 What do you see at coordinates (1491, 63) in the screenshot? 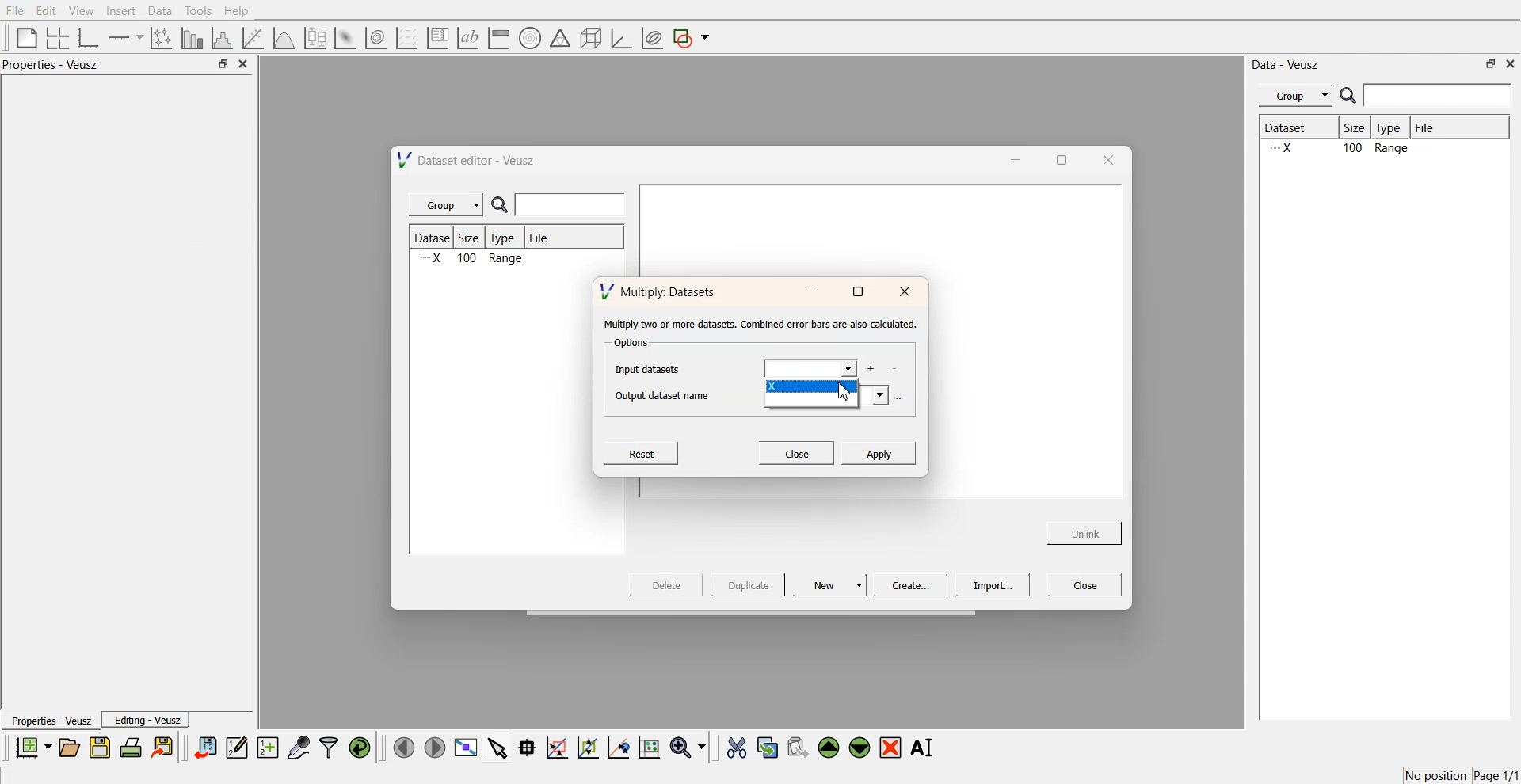
I see `minimise or maximise` at bounding box center [1491, 63].